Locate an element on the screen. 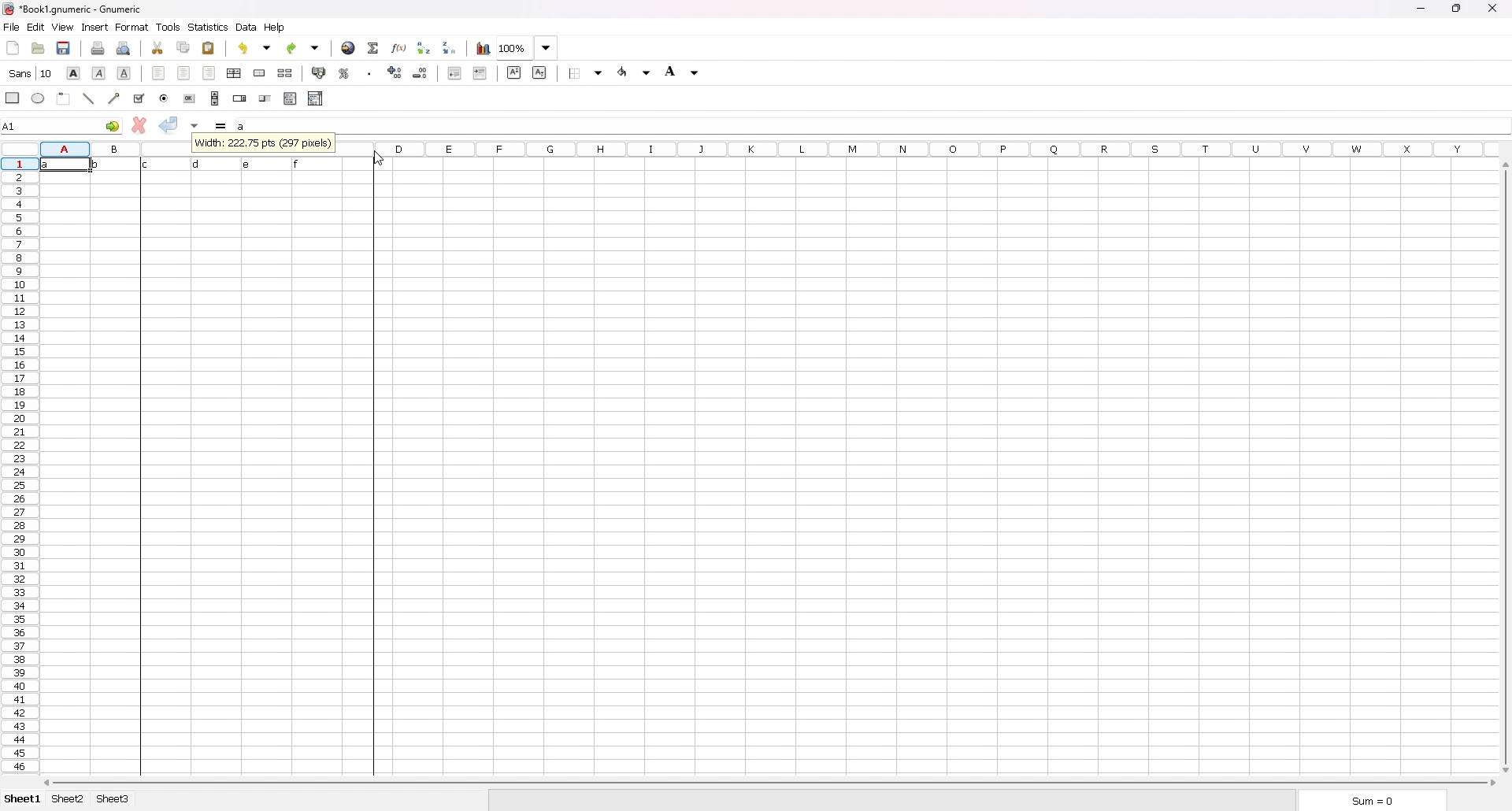 The image size is (1512, 811). left align is located at coordinates (159, 72).